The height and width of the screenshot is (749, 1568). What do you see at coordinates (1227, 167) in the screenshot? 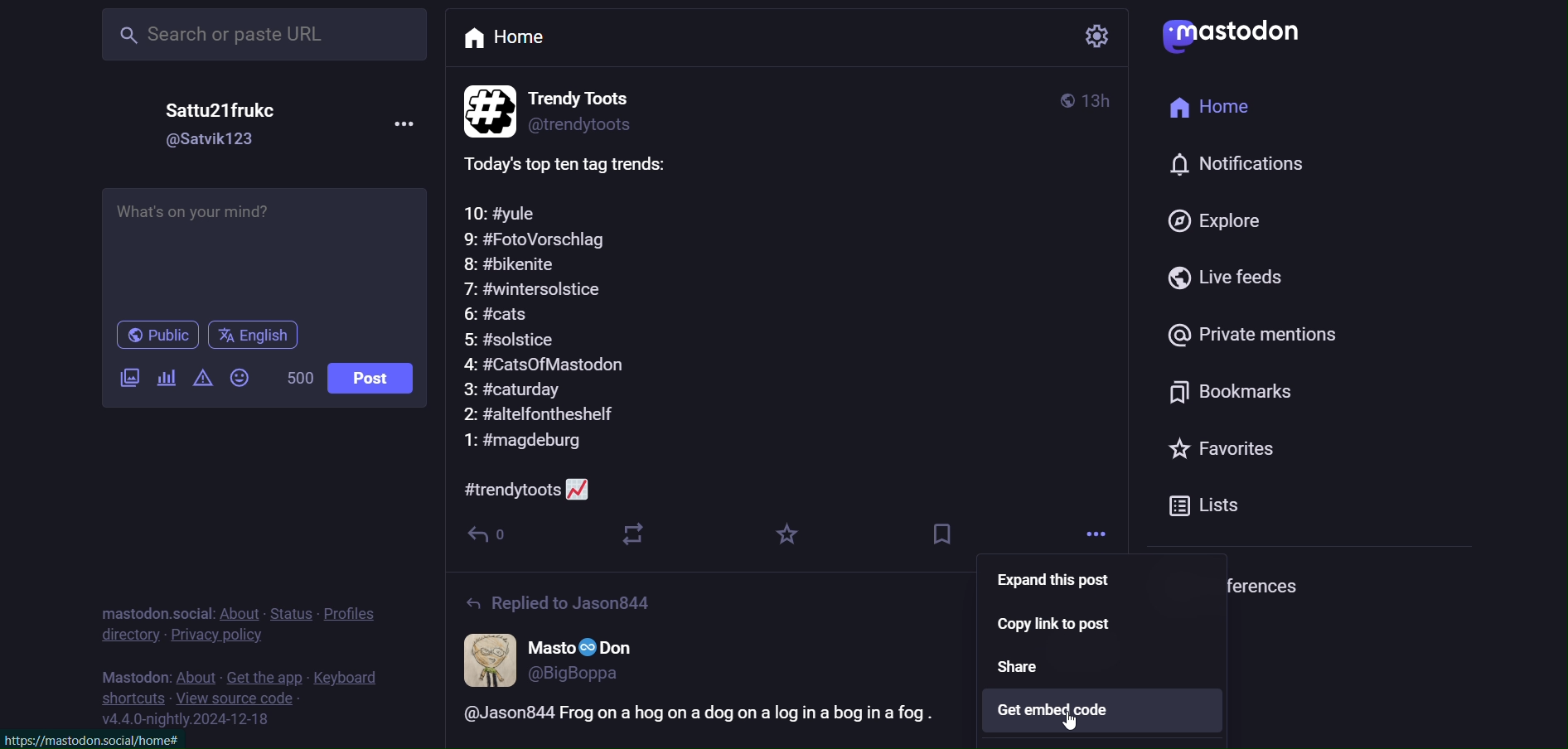
I see `notiffications` at bounding box center [1227, 167].